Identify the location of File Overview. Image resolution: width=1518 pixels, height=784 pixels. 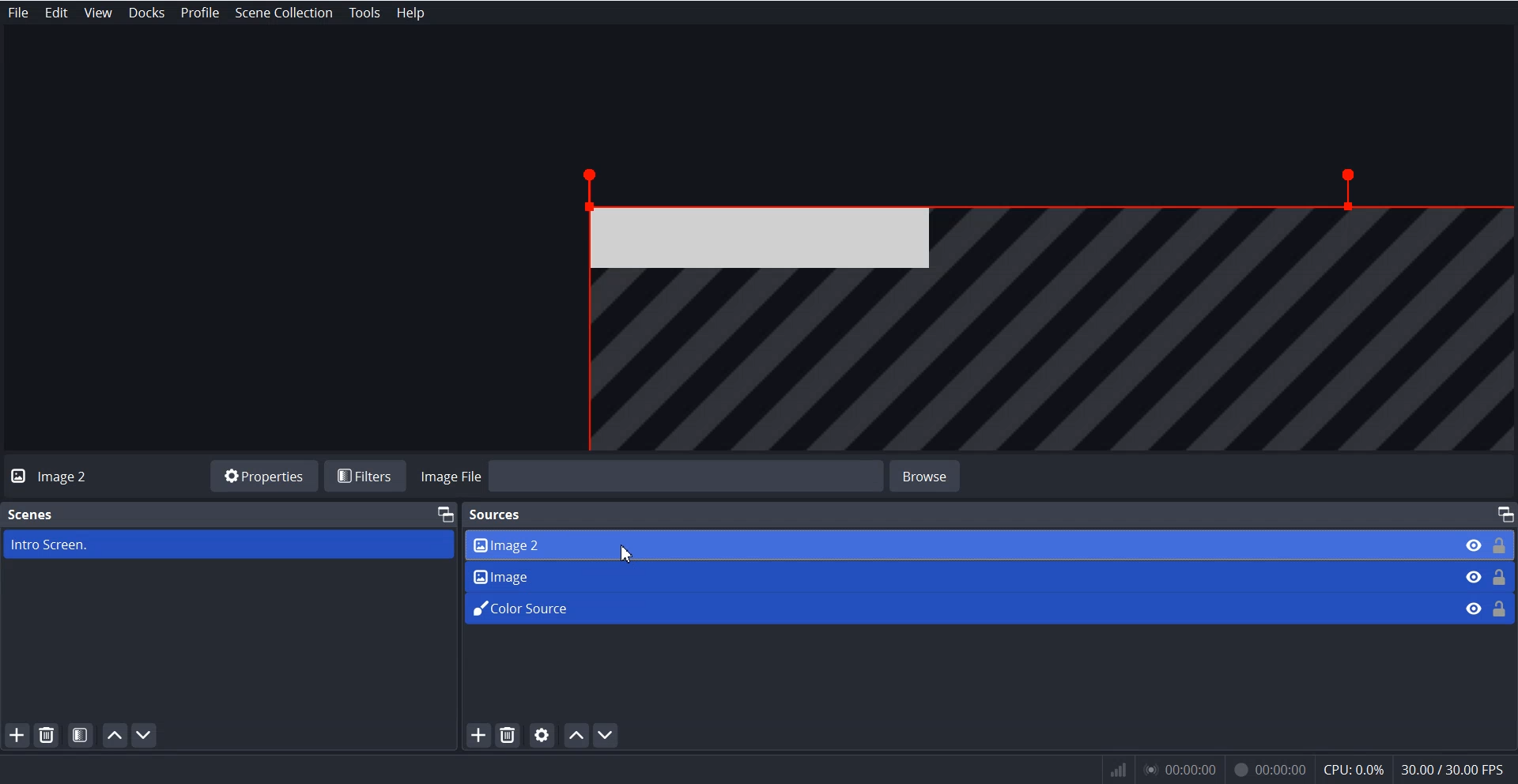
(1028, 303).